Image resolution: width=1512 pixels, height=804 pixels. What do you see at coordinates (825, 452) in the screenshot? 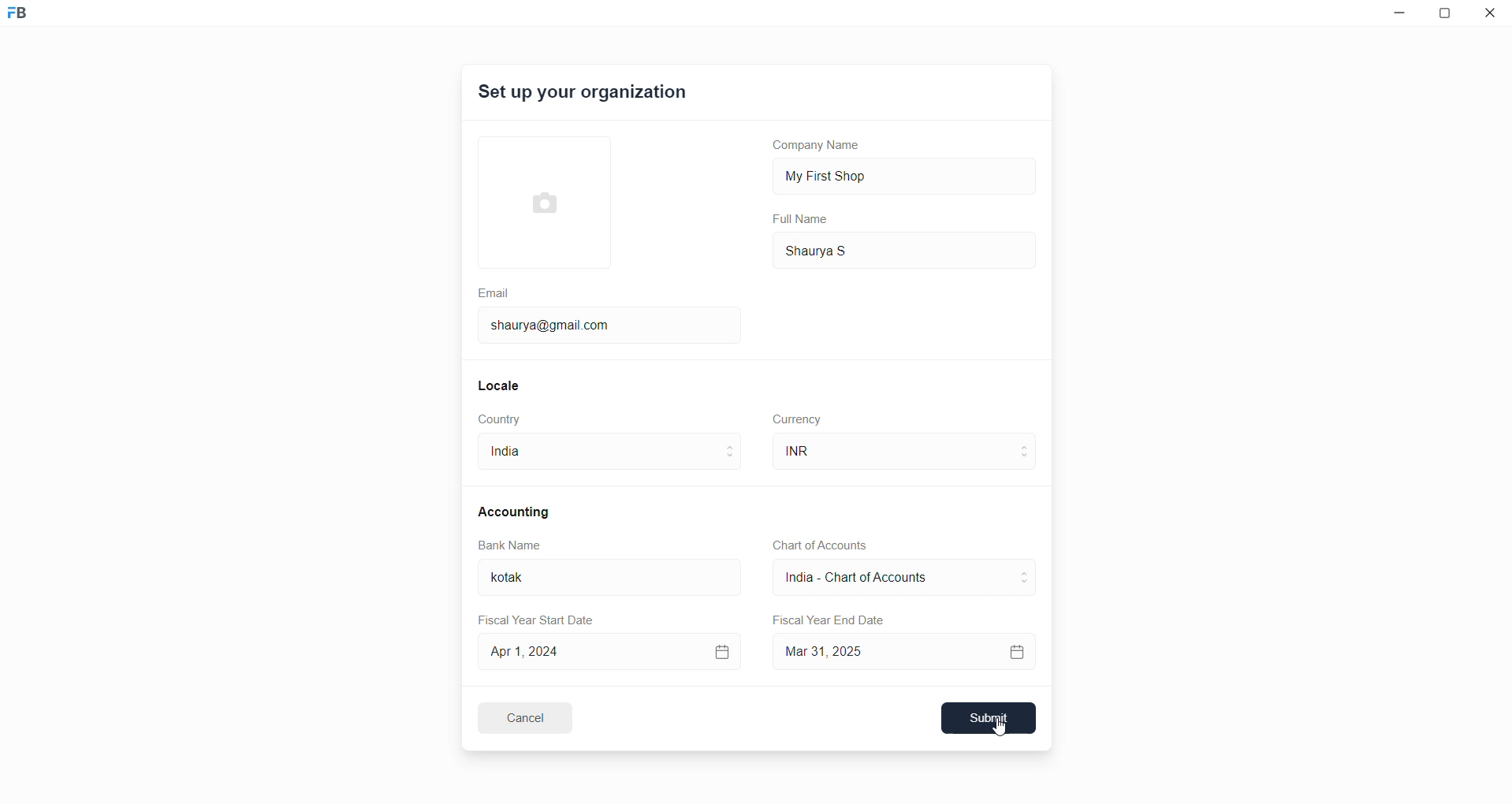
I see `INR` at bounding box center [825, 452].